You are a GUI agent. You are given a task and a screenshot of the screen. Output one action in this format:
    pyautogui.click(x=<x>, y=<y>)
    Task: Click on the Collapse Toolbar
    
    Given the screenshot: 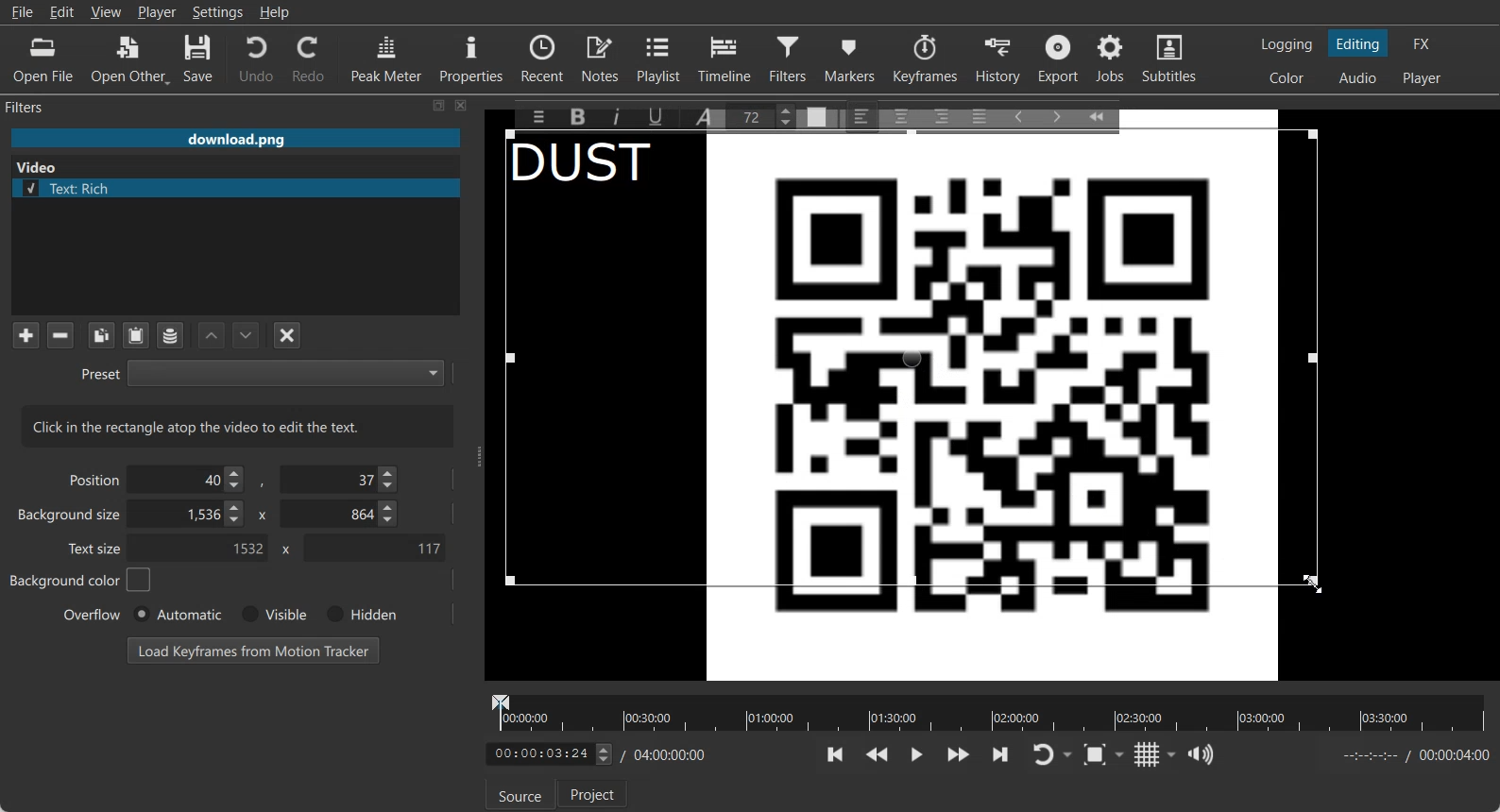 What is the action you would take?
    pyautogui.click(x=1105, y=113)
    